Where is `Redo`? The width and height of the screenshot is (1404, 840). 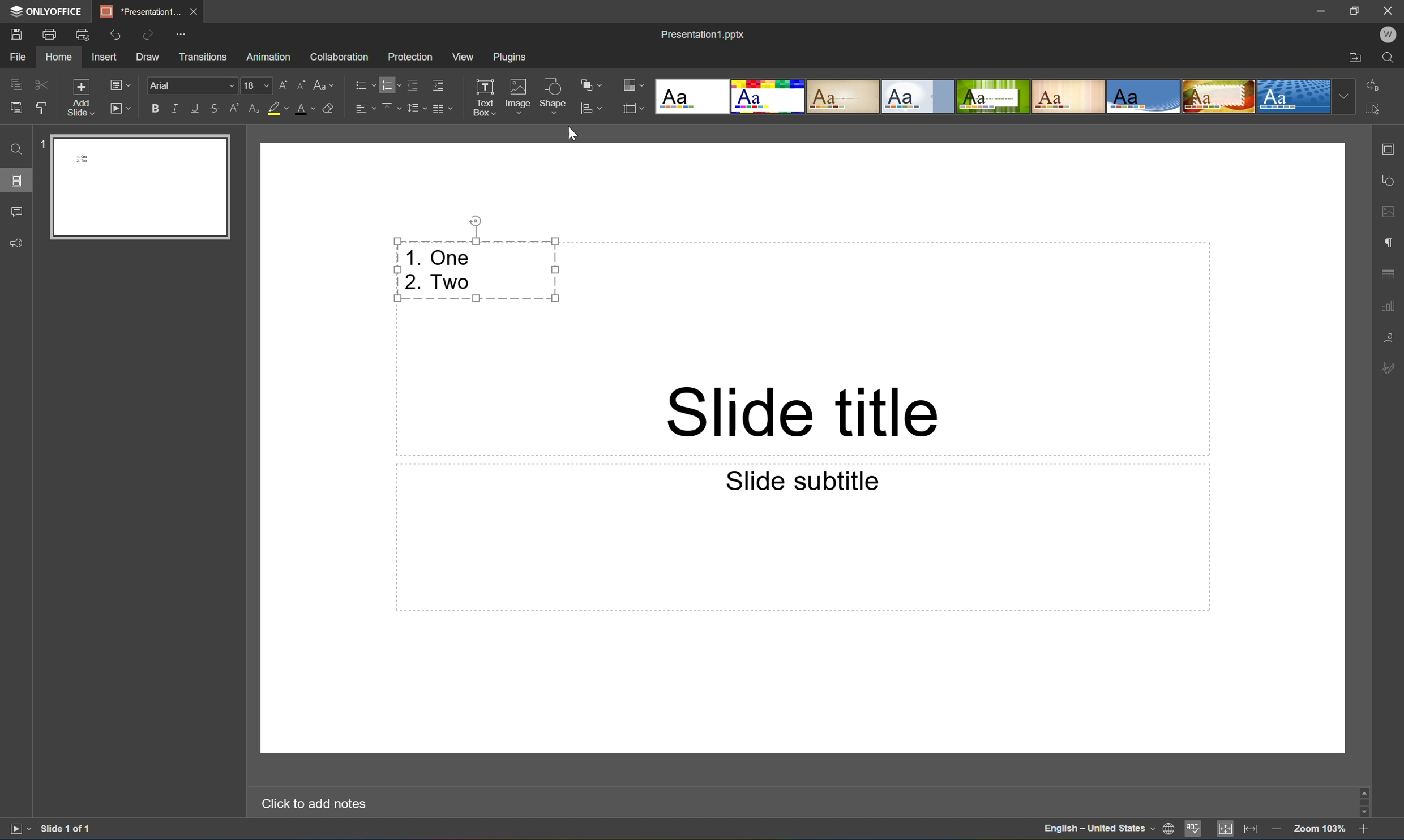
Redo is located at coordinates (150, 38).